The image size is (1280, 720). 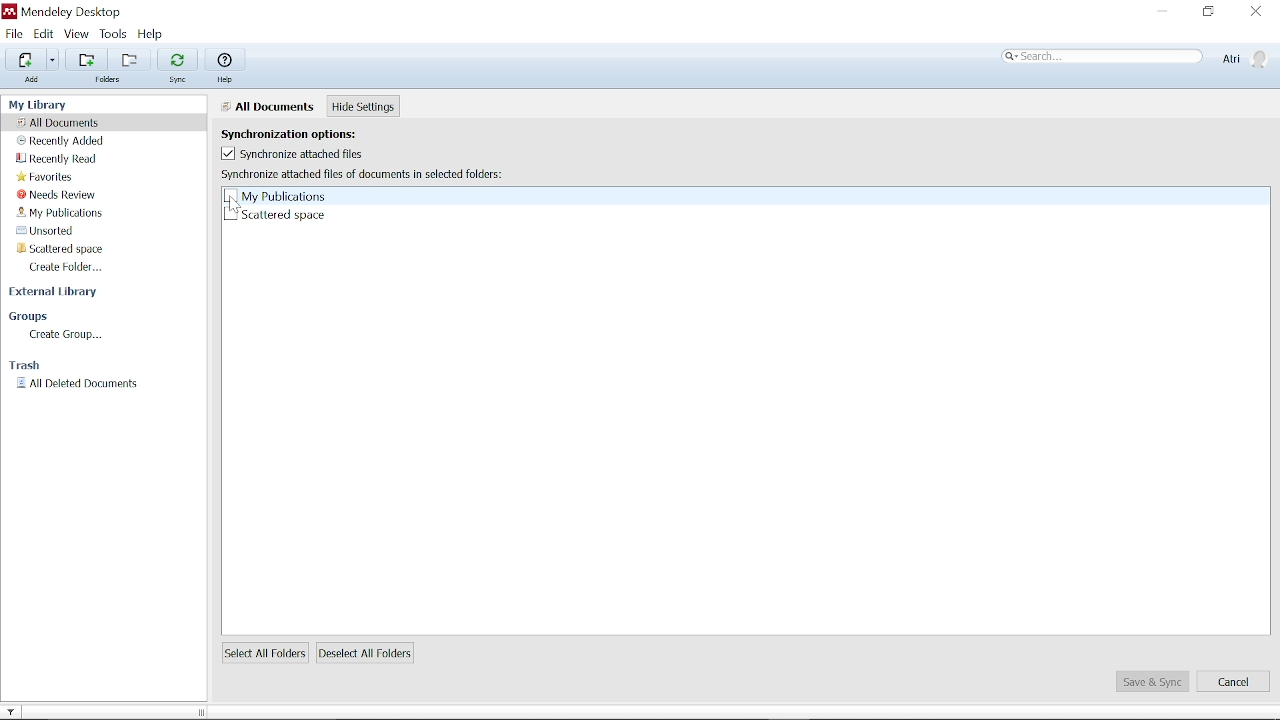 I want to click on Folder named "Scattered space", so click(x=273, y=215).